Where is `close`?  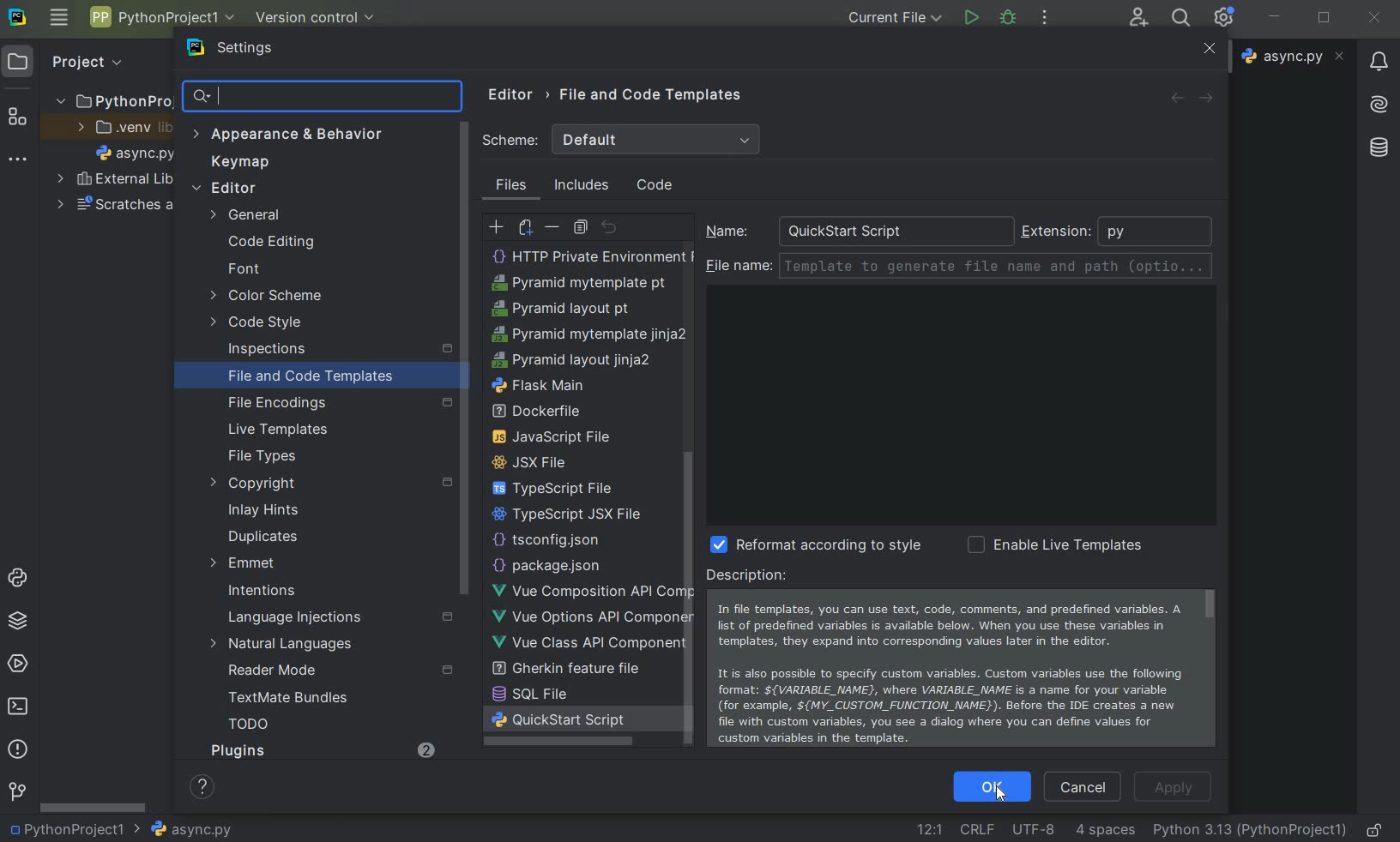 close is located at coordinates (1375, 17).